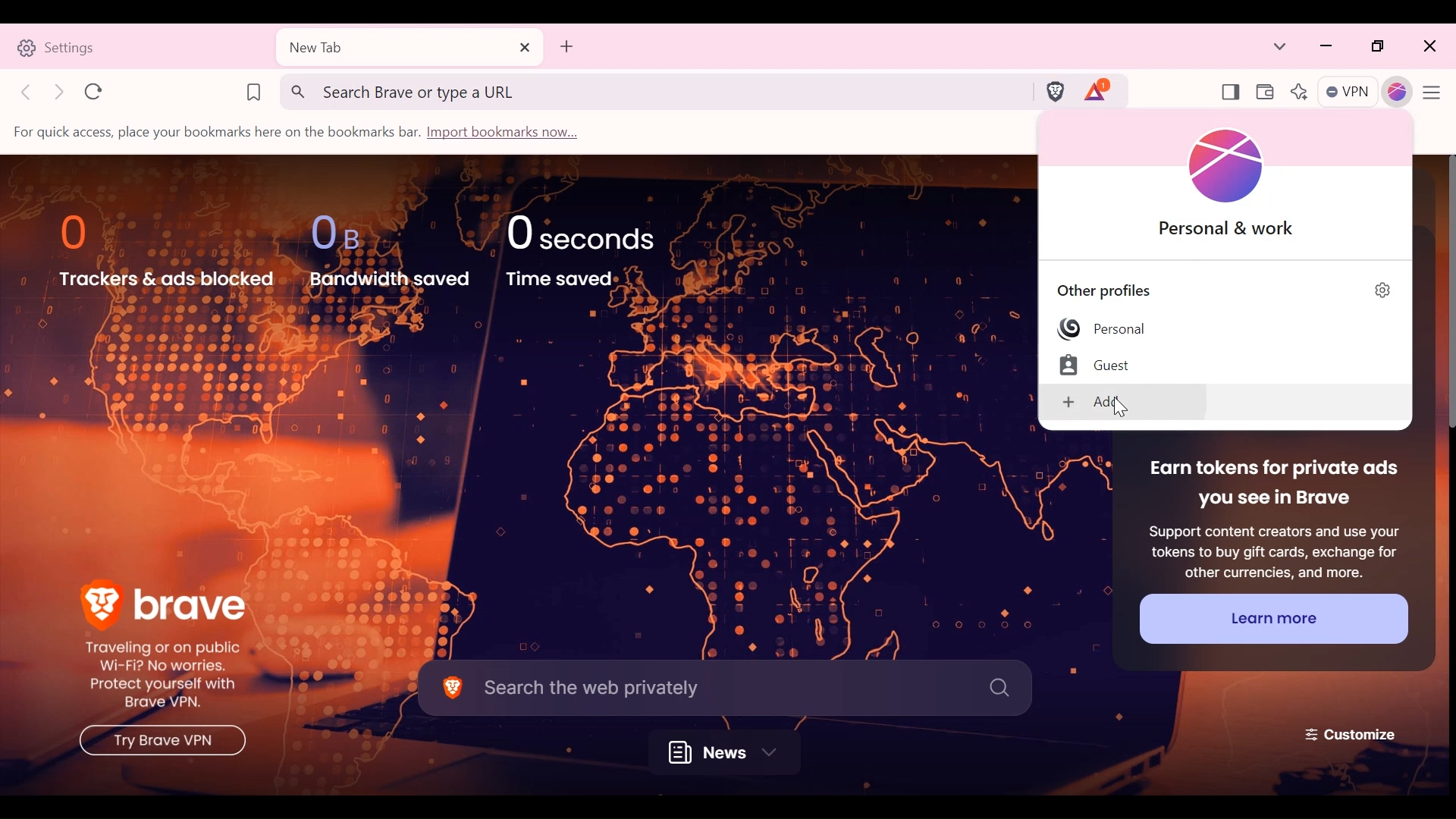 The height and width of the screenshot is (819, 1456). I want to click on Current Tab, so click(409, 48).